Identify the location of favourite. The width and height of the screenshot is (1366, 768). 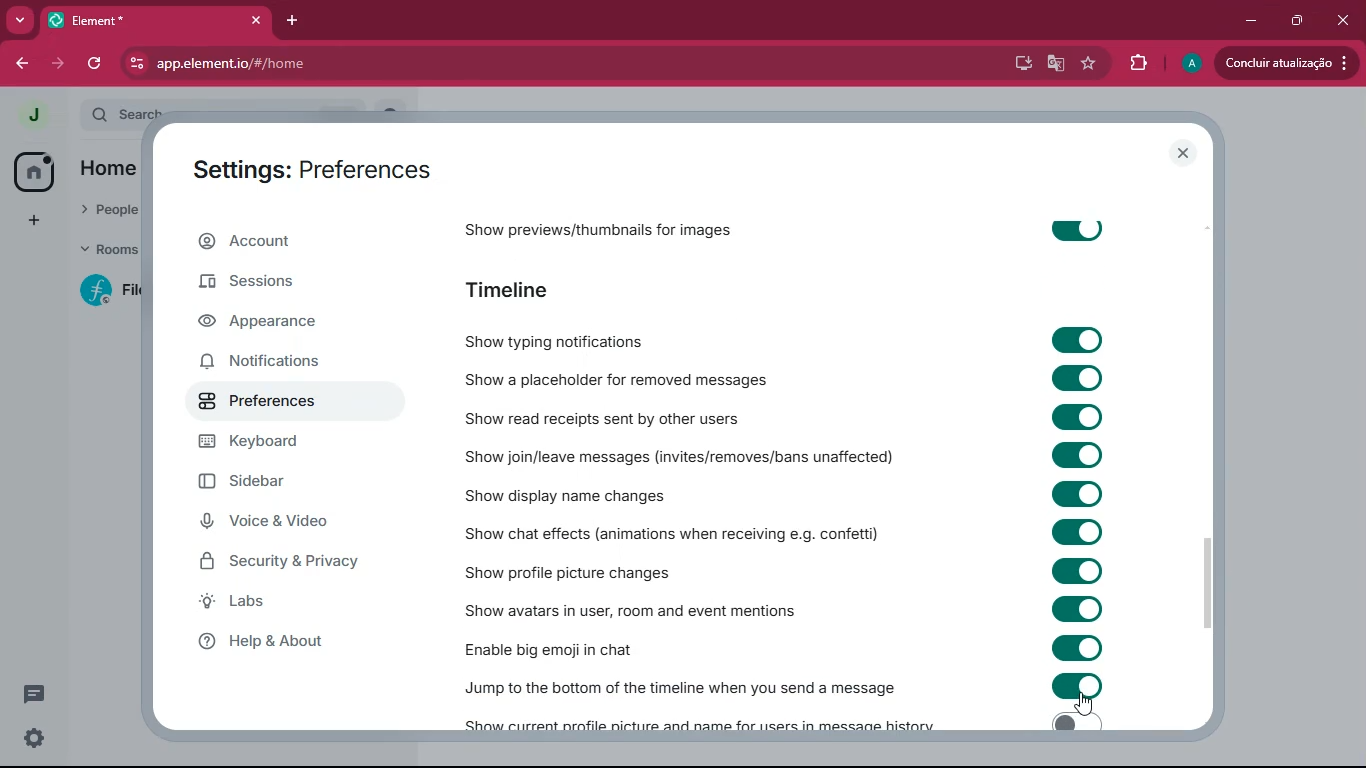
(1089, 64).